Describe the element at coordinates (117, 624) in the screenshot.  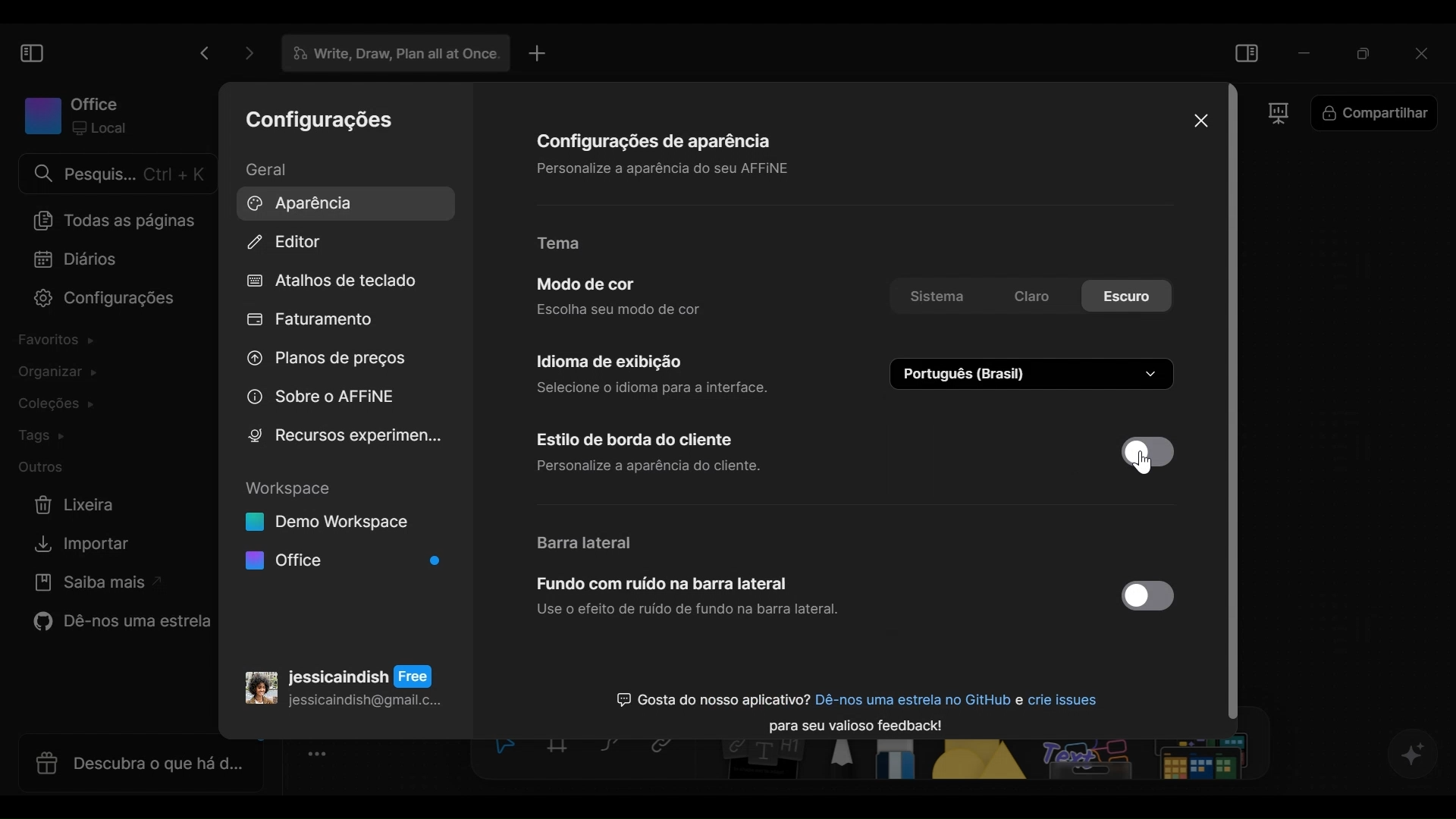
I see `Star us` at that location.